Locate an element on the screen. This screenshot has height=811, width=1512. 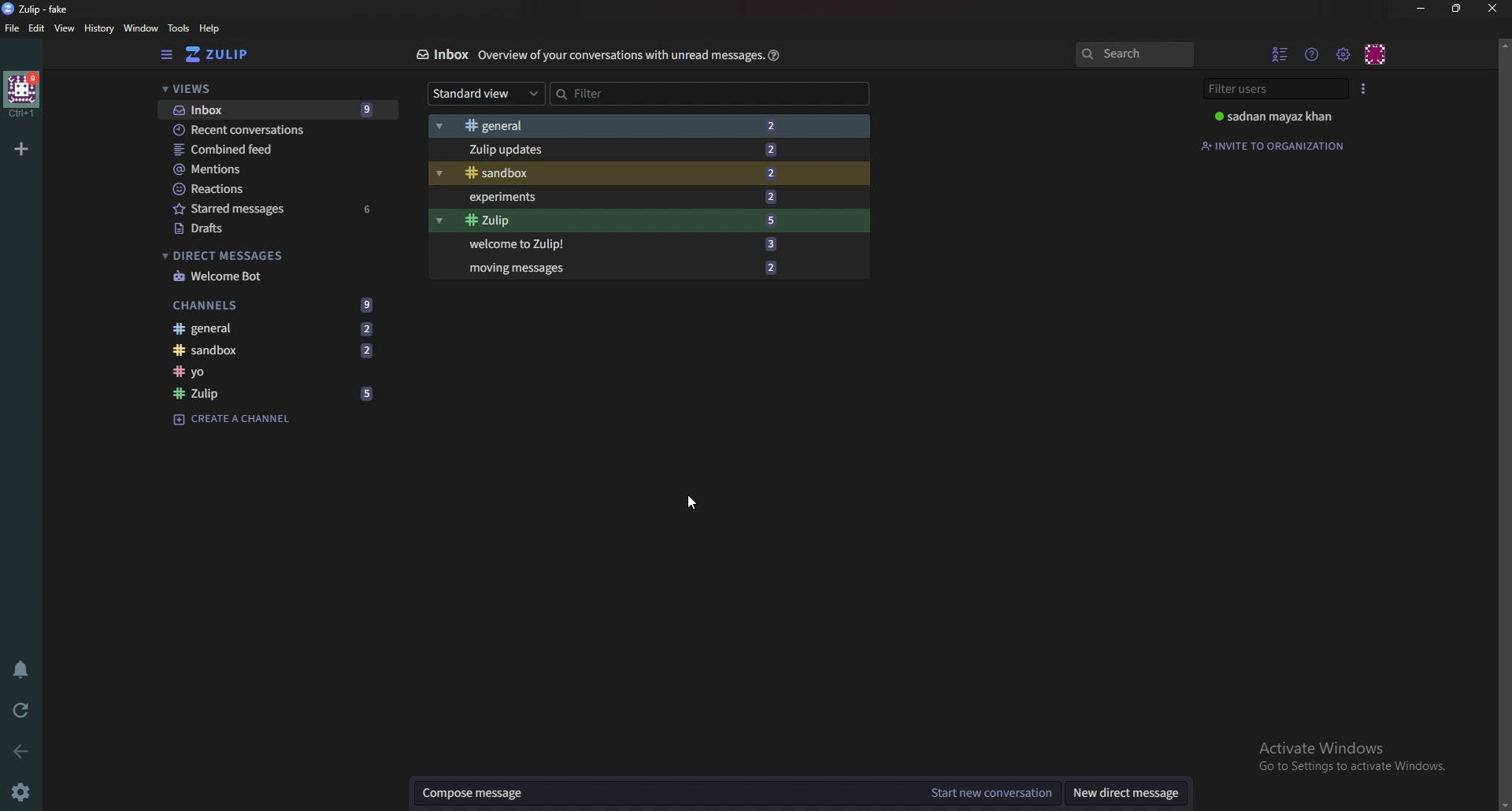
General is located at coordinates (602, 126).